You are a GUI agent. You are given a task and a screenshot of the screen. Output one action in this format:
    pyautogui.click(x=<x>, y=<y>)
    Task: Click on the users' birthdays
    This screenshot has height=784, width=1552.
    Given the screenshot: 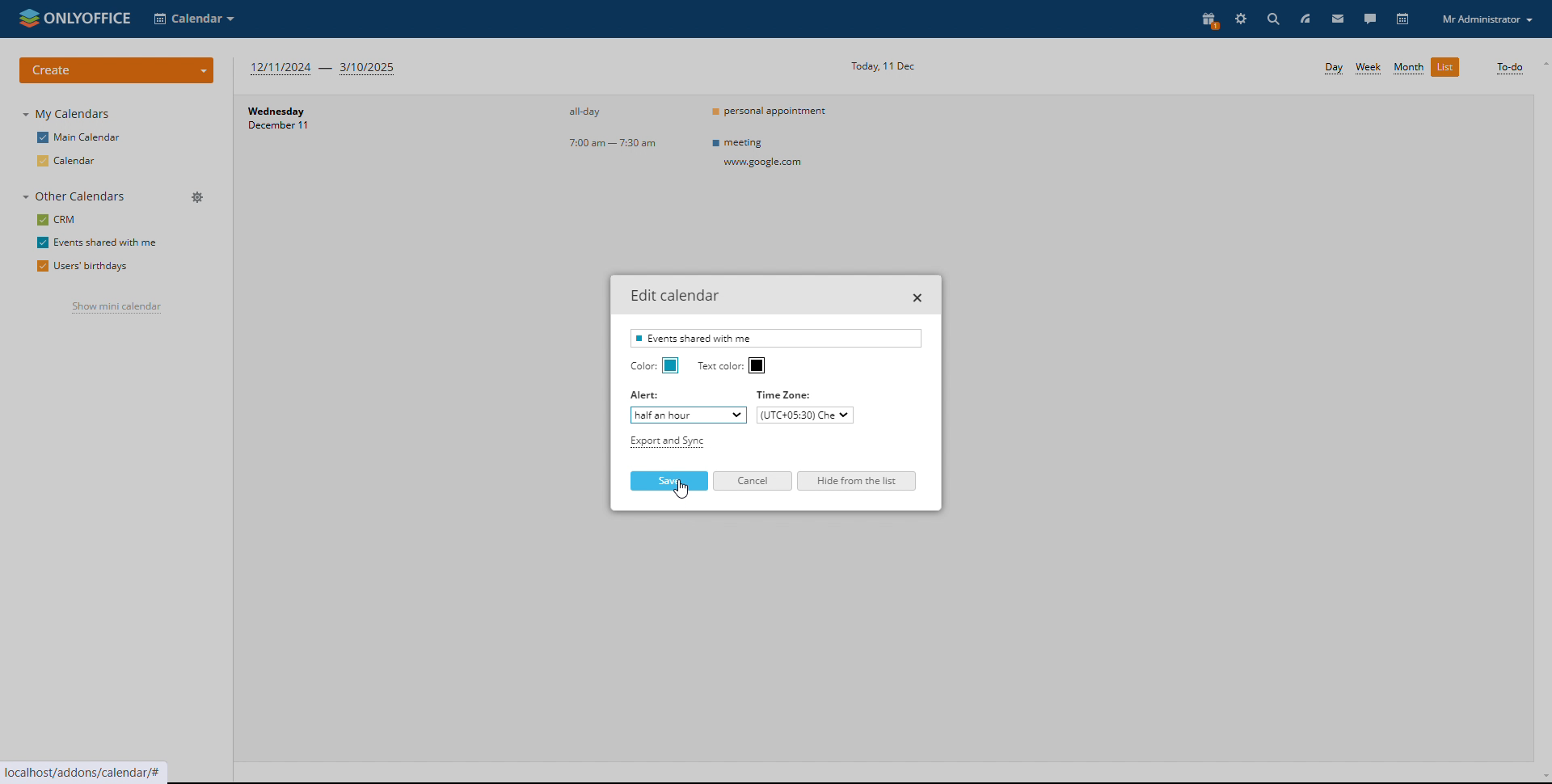 What is the action you would take?
    pyautogui.click(x=80, y=266)
    